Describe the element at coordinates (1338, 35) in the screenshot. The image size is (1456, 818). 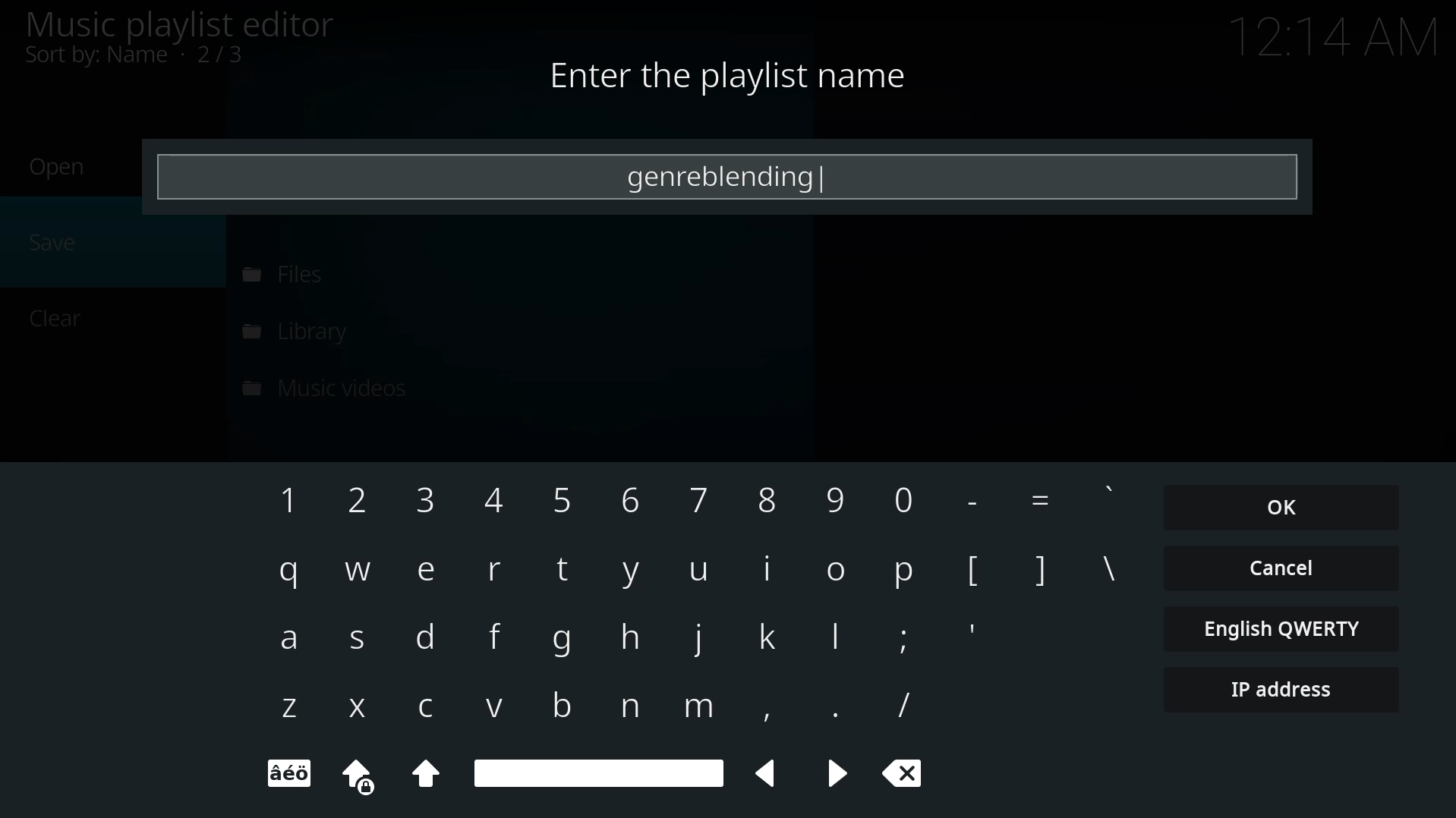
I see `time` at that location.